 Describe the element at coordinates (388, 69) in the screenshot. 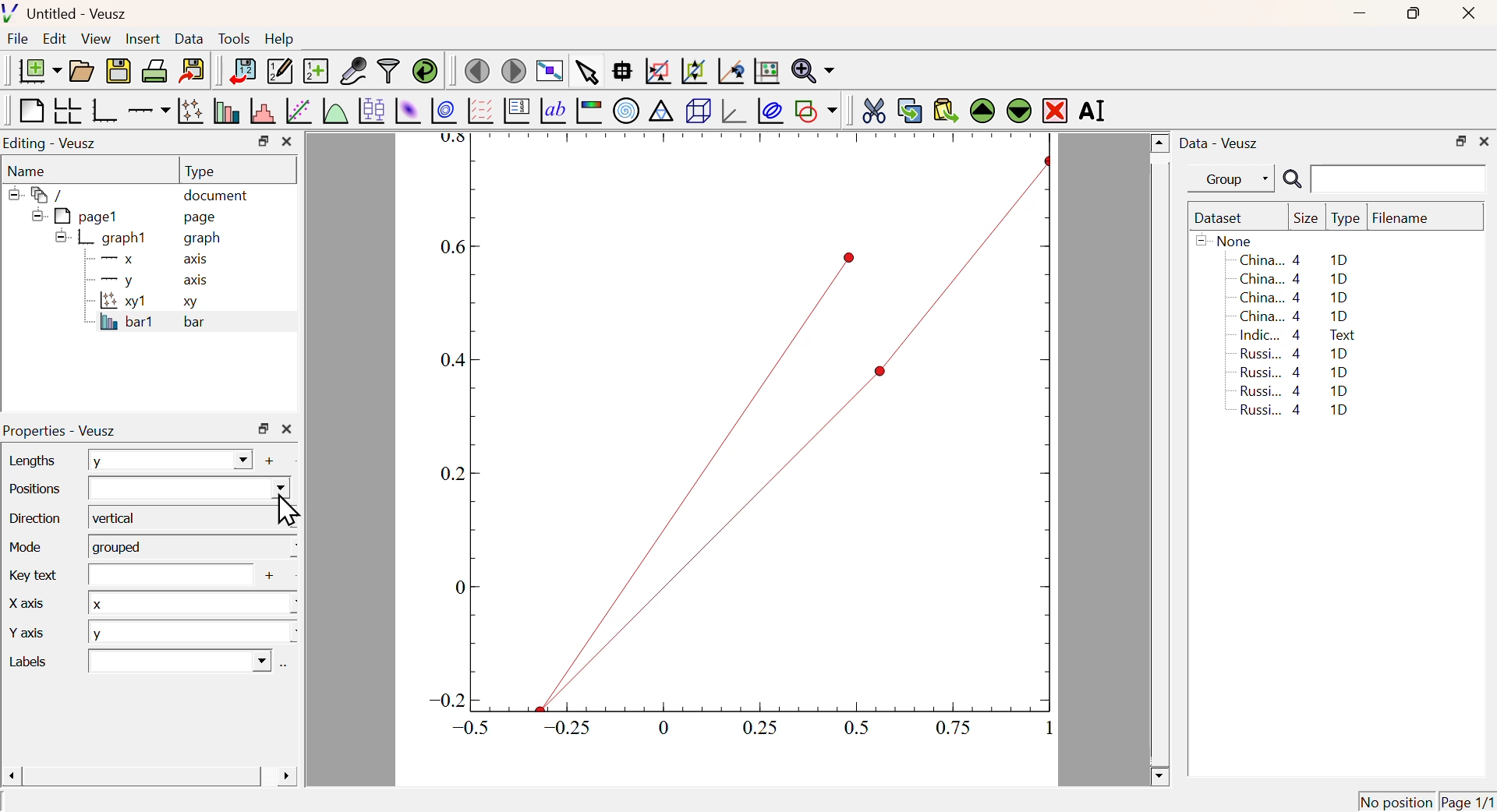

I see `Filter Data` at that location.